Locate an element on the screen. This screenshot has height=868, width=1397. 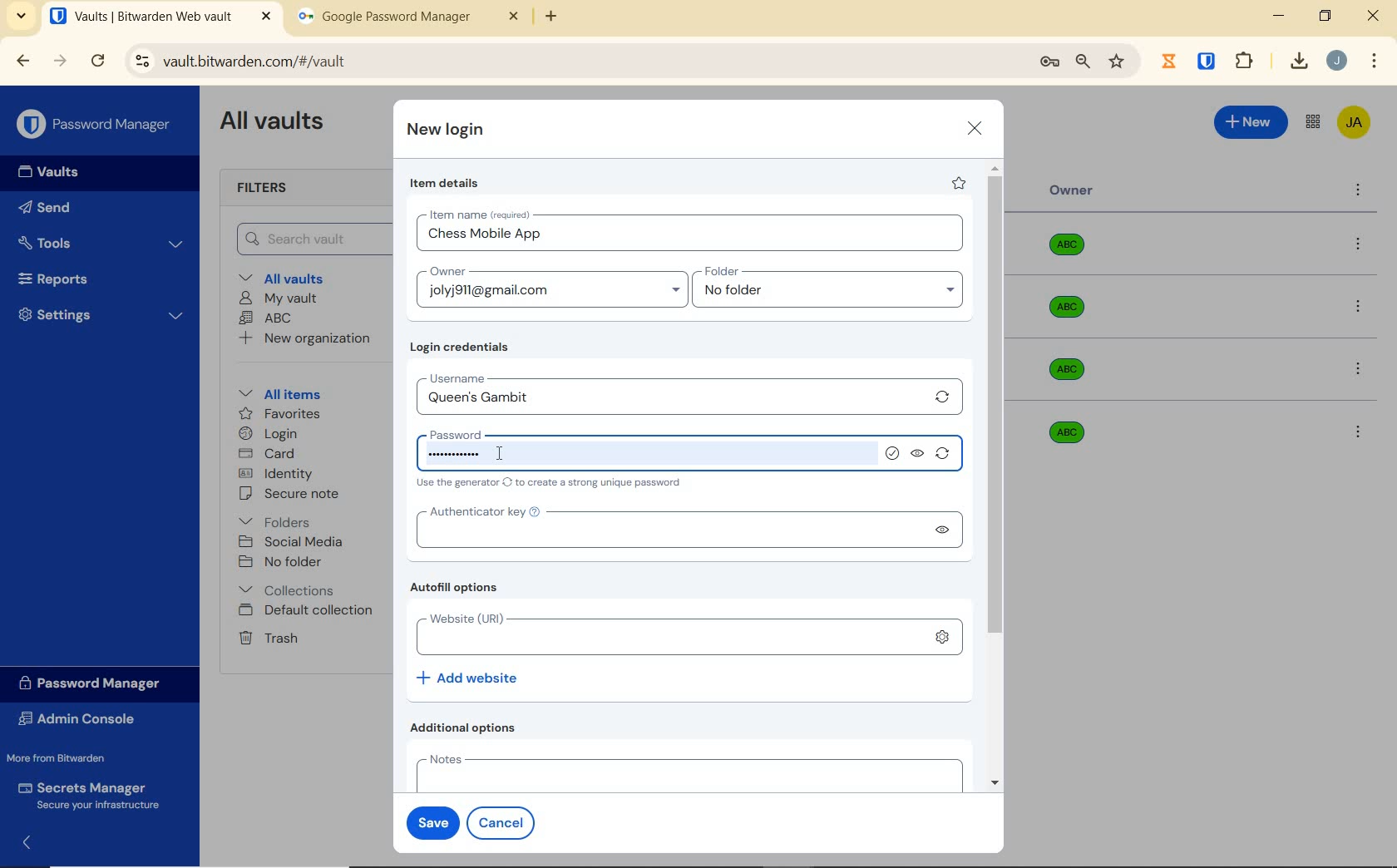
item details is located at coordinates (445, 184).